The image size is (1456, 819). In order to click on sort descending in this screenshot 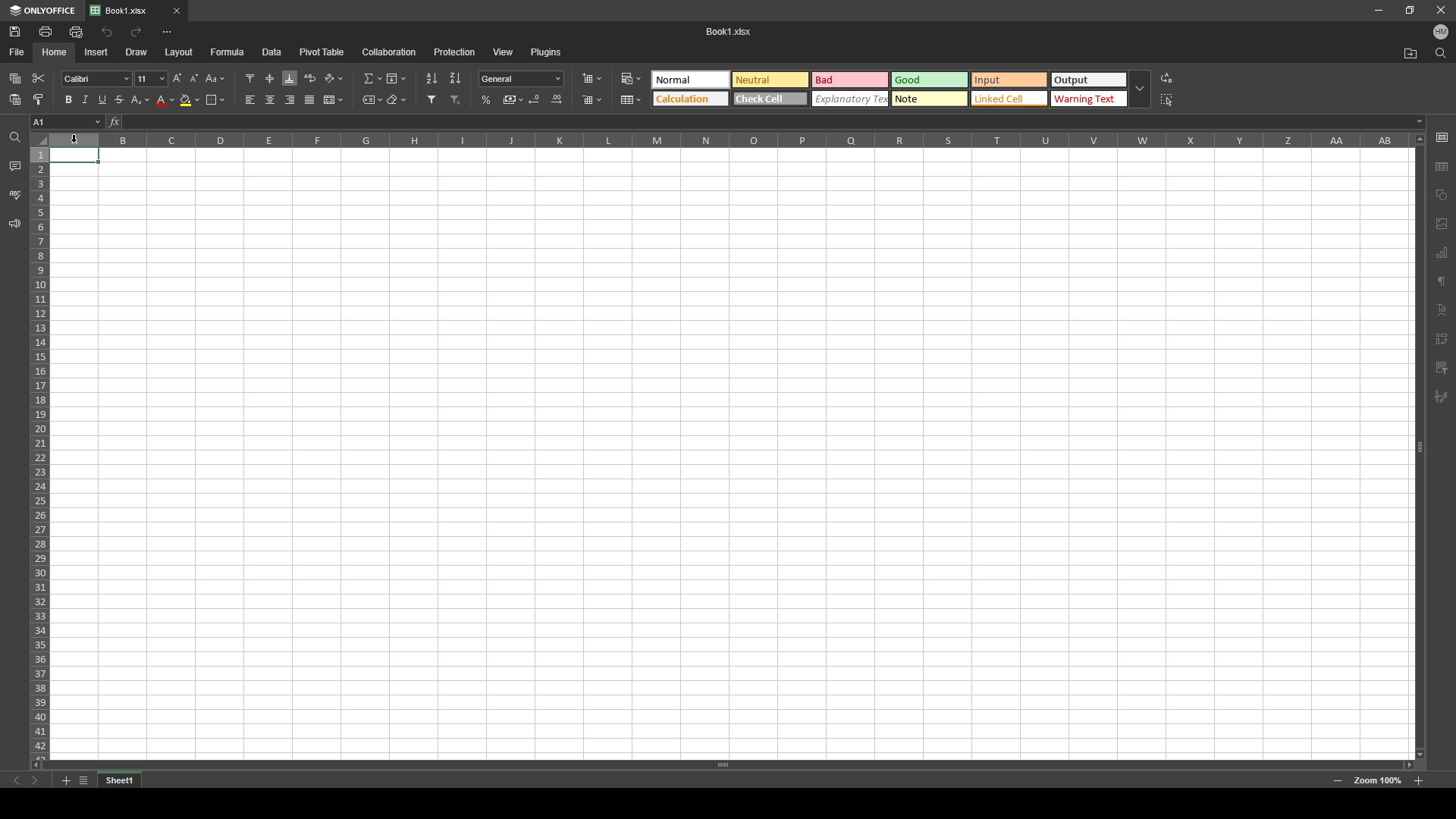, I will do `click(456, 77)`.